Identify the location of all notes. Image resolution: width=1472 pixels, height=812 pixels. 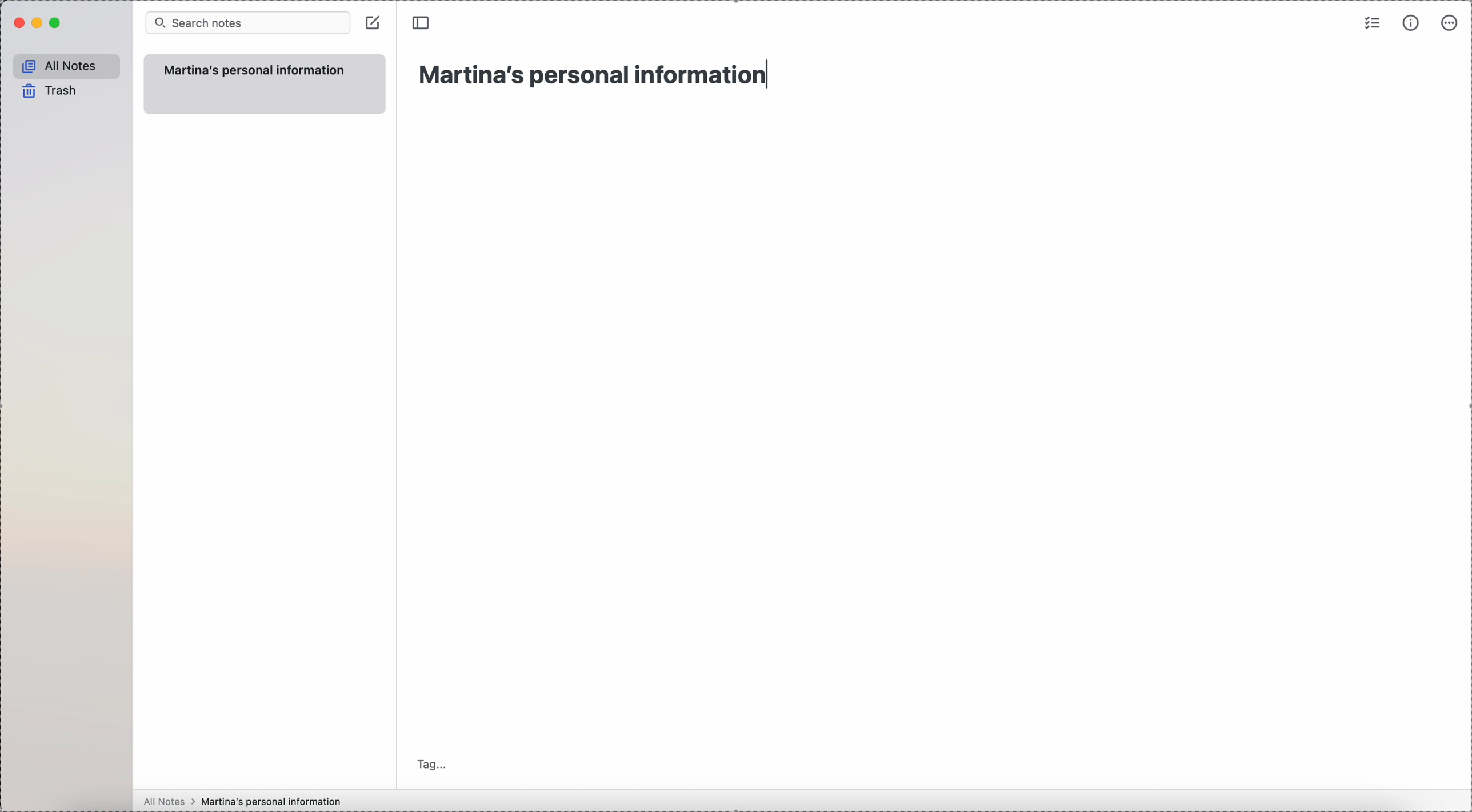
(66, 66).